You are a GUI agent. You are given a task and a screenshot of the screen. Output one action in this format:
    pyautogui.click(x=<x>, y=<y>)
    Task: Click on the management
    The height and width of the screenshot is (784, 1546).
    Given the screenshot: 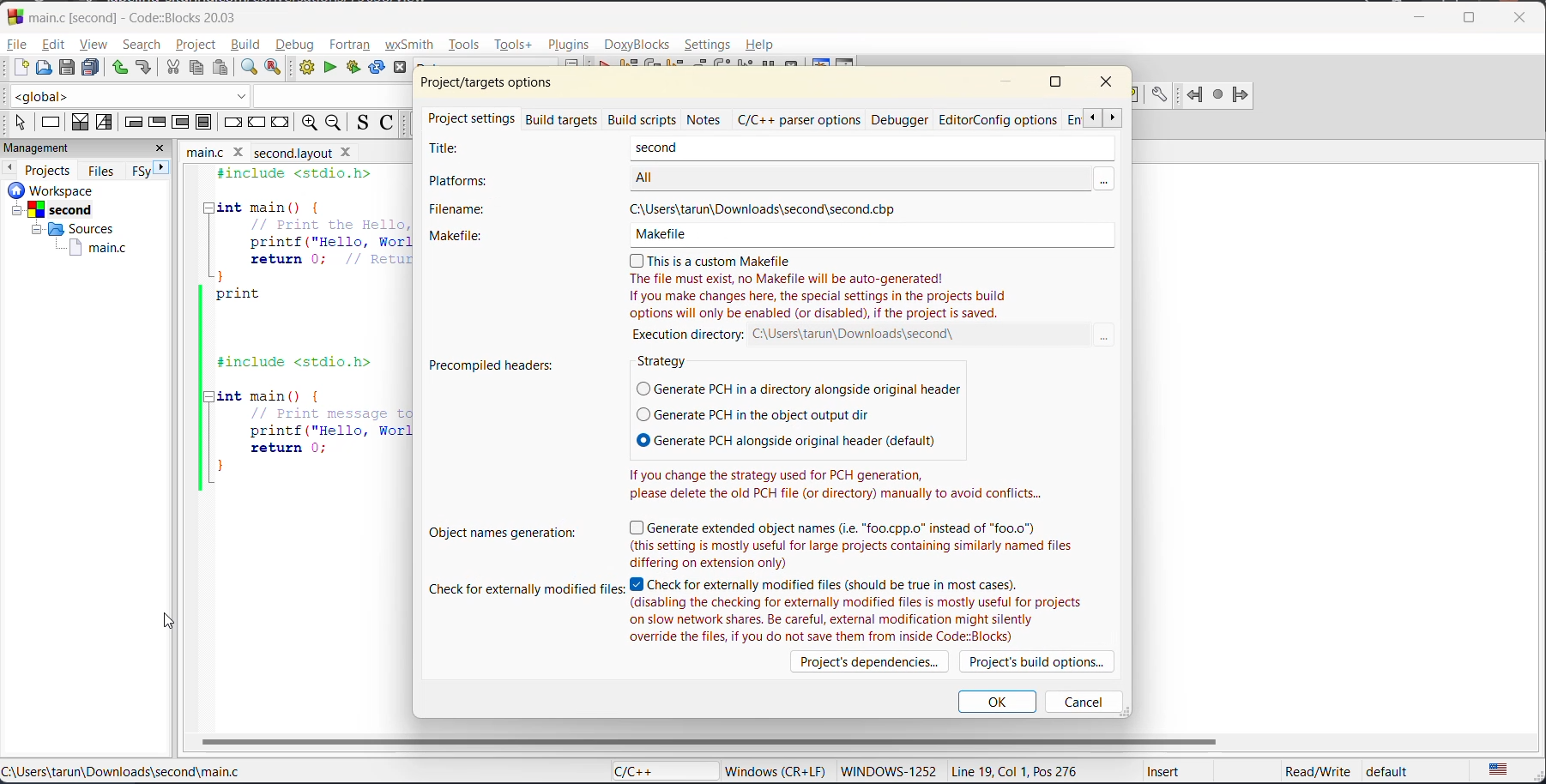 What is the action you would take?
    pyautogui.click(x=67, y=148)
    